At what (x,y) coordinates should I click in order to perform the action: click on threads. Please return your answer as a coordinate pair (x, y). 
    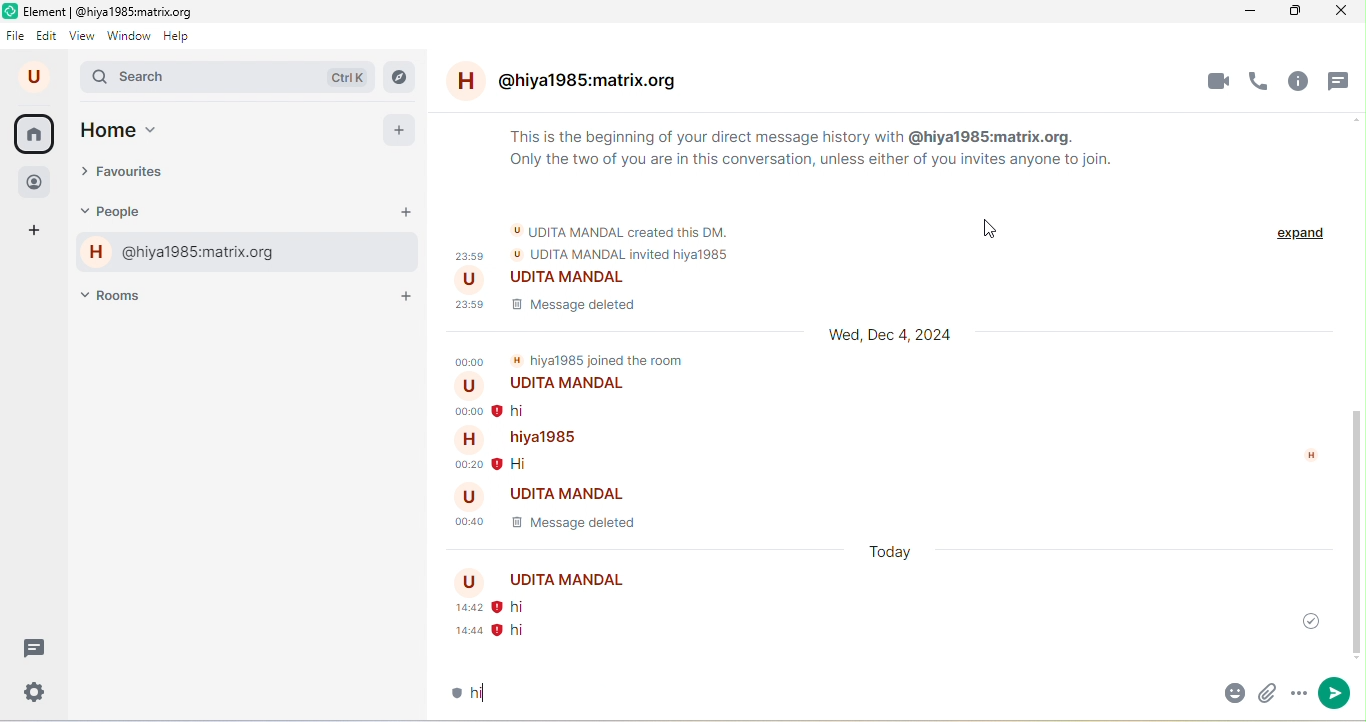
    Looking at the image, I should click on (36, 647).